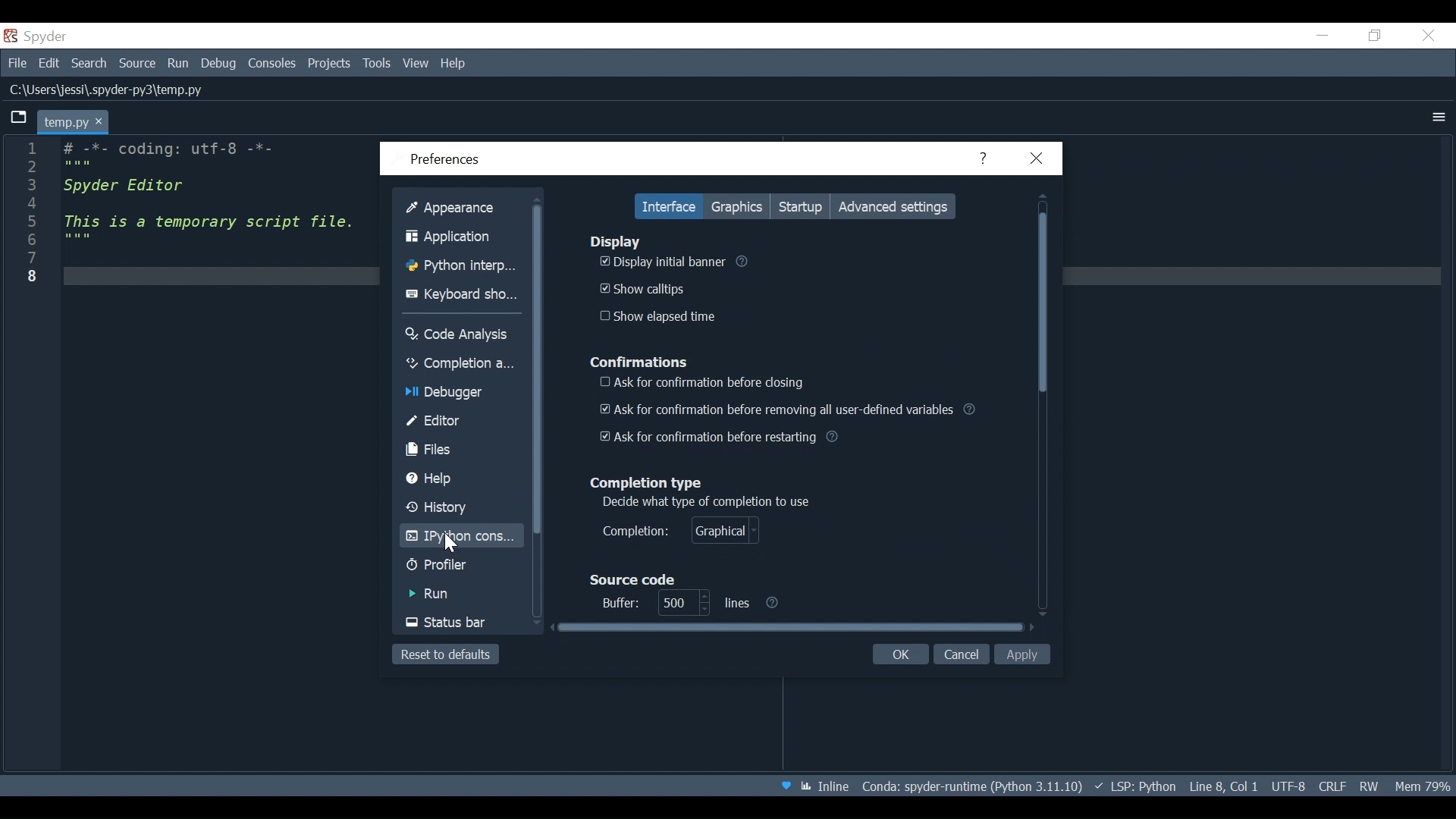  What do you see at coordinates (1024, 655) in the screenshot?
I see `Apply` at bounding box center [1024, 655].